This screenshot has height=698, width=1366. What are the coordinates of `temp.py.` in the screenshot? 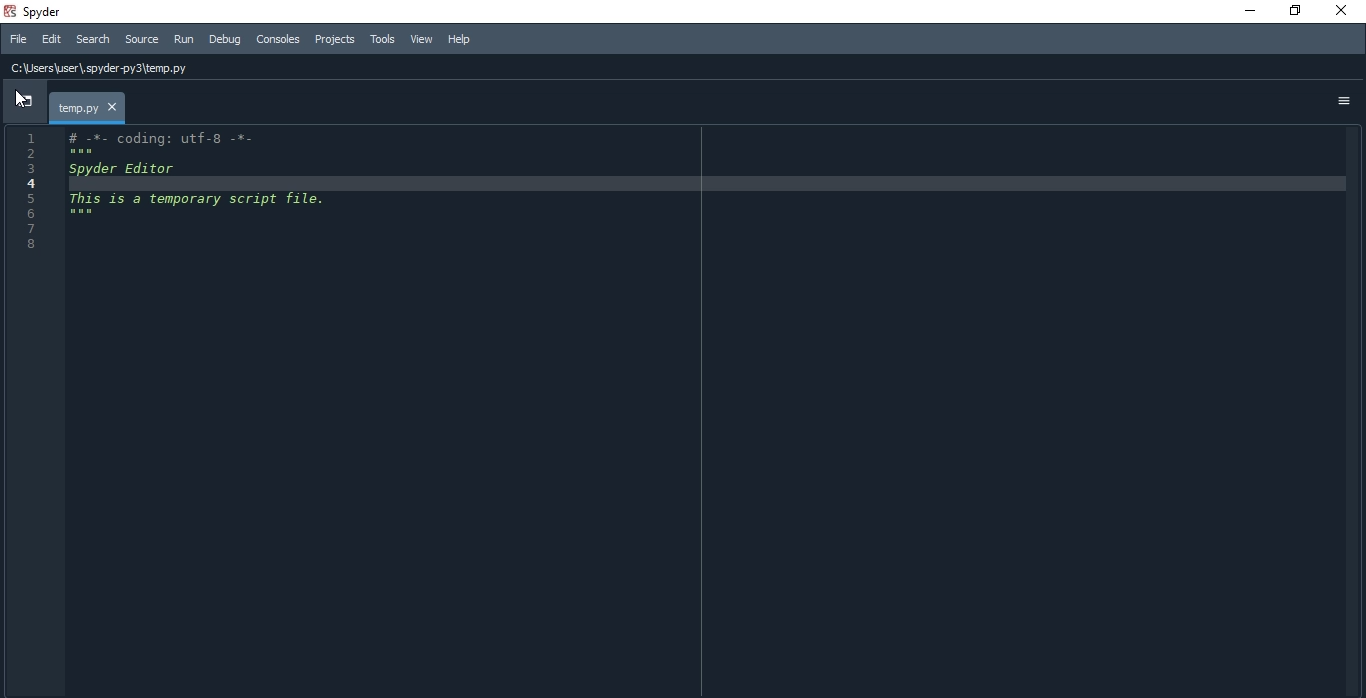 It's located at (91, 109).